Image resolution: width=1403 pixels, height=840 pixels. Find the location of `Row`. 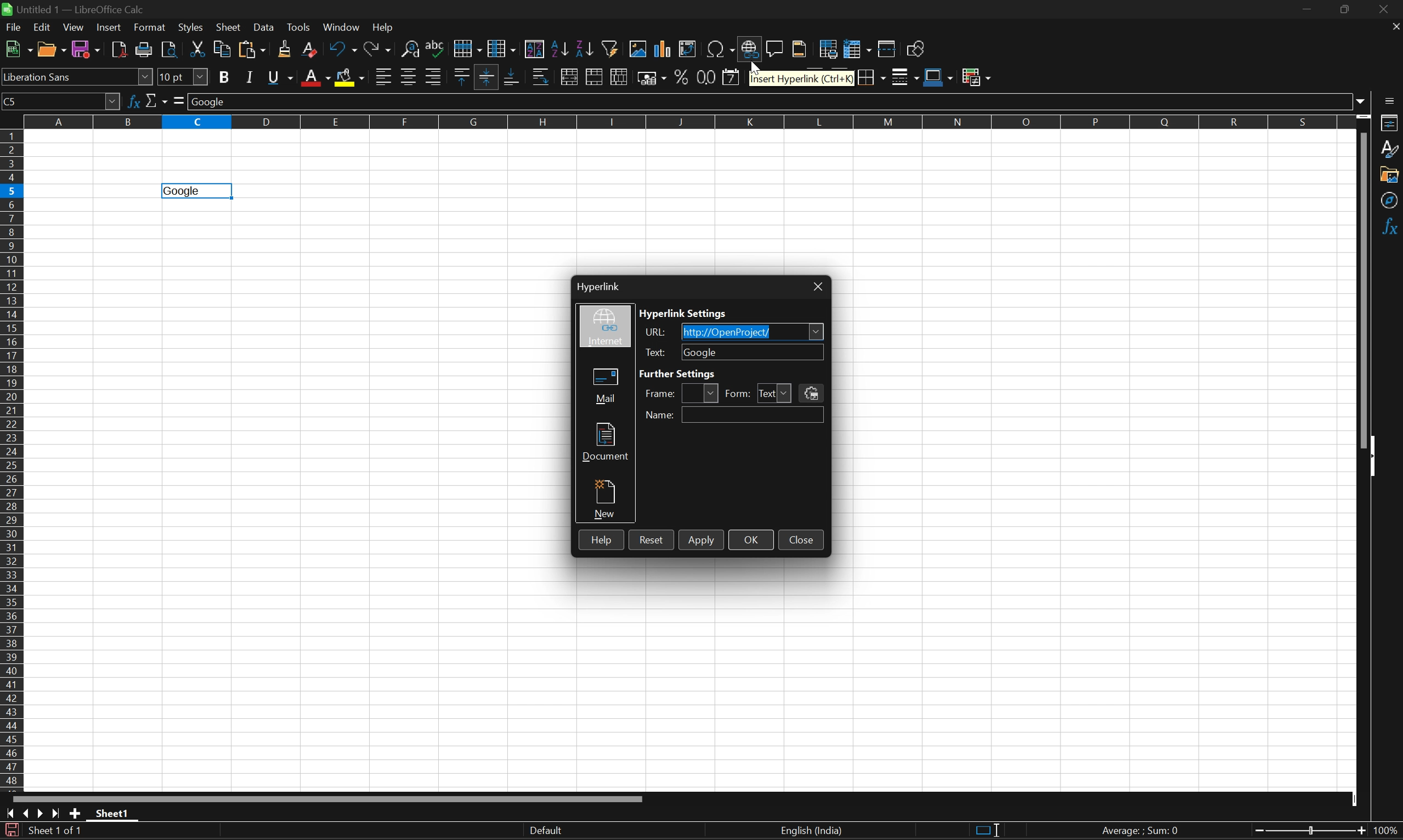

Row is located at coordinates (467, 45).